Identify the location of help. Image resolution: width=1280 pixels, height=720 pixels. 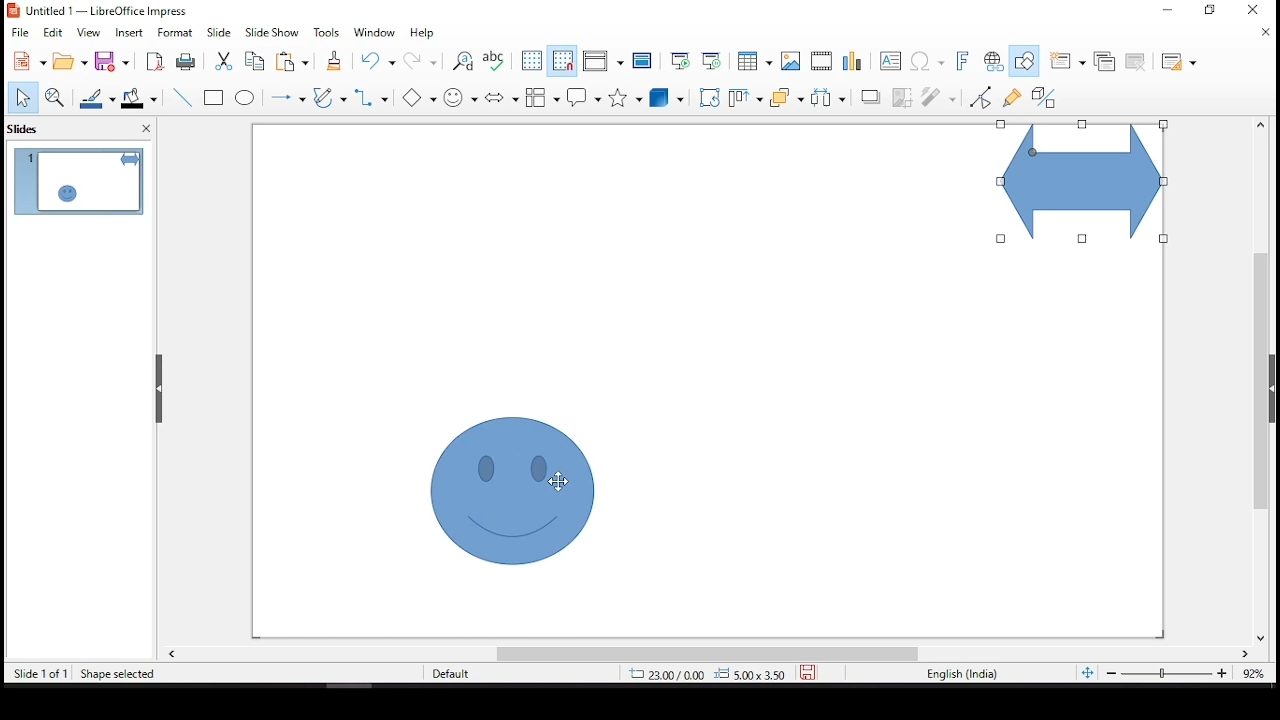
(423, 34).